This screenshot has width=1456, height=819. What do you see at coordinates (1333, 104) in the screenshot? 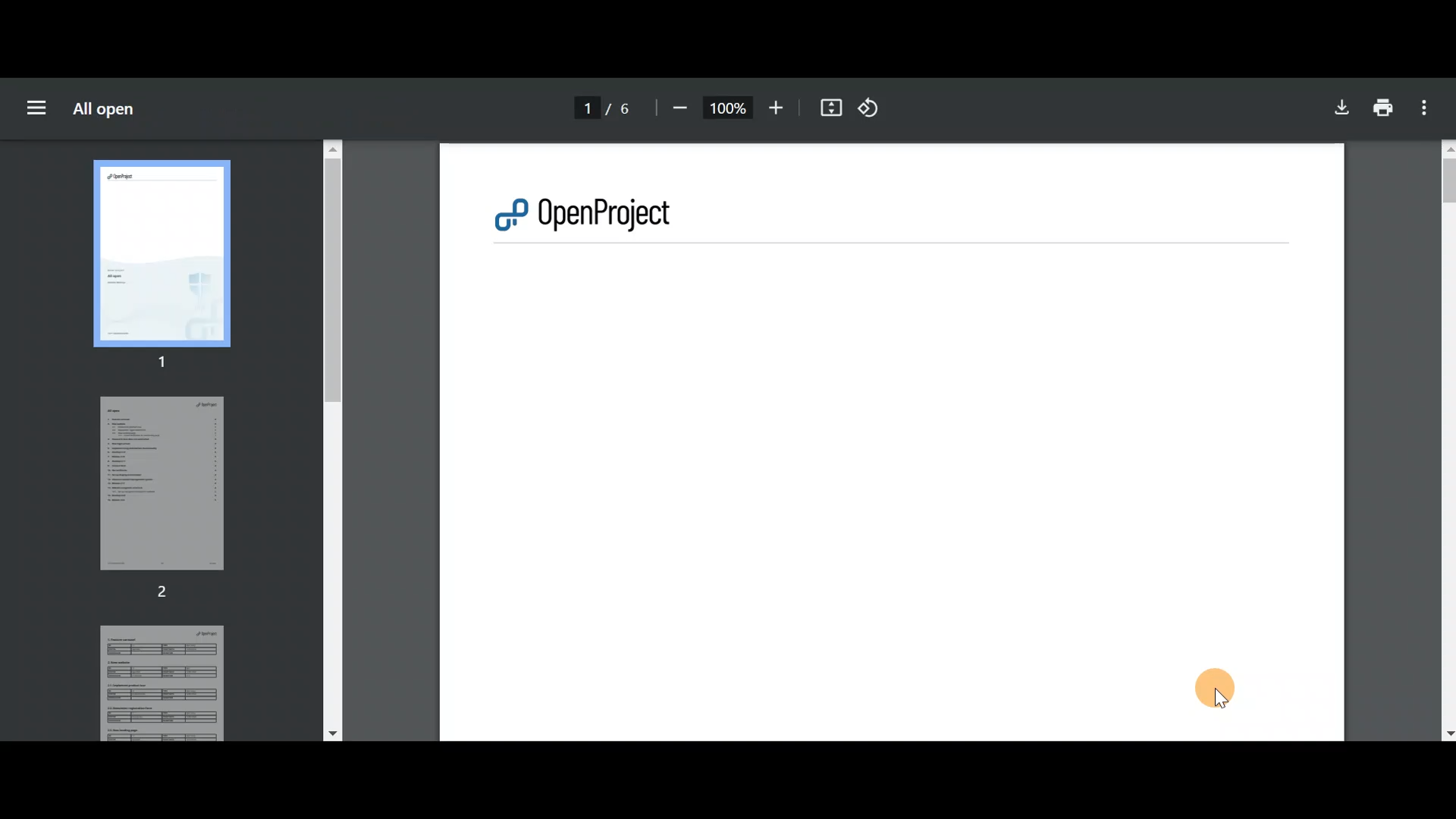
I see `Download` at bounding box center [1333, 104].